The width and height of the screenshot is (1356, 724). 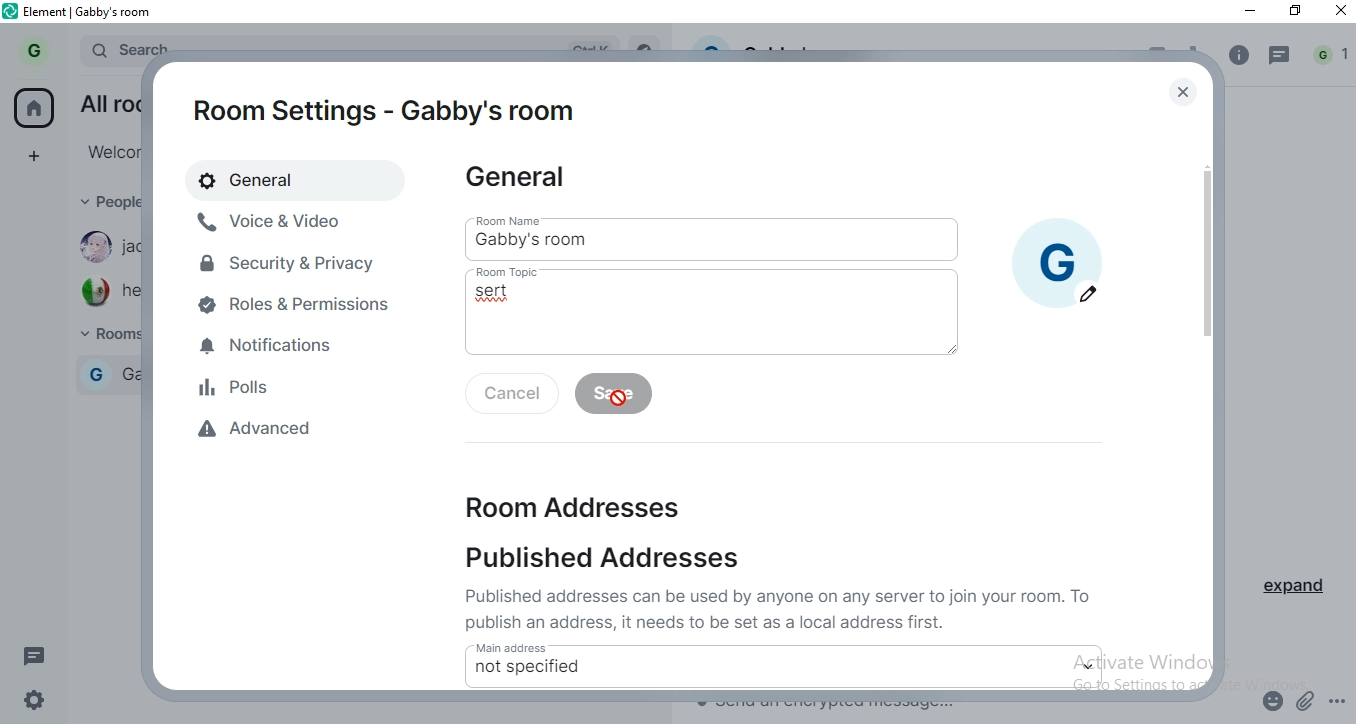 I want to click on cursor, so click(x=617, y=395).